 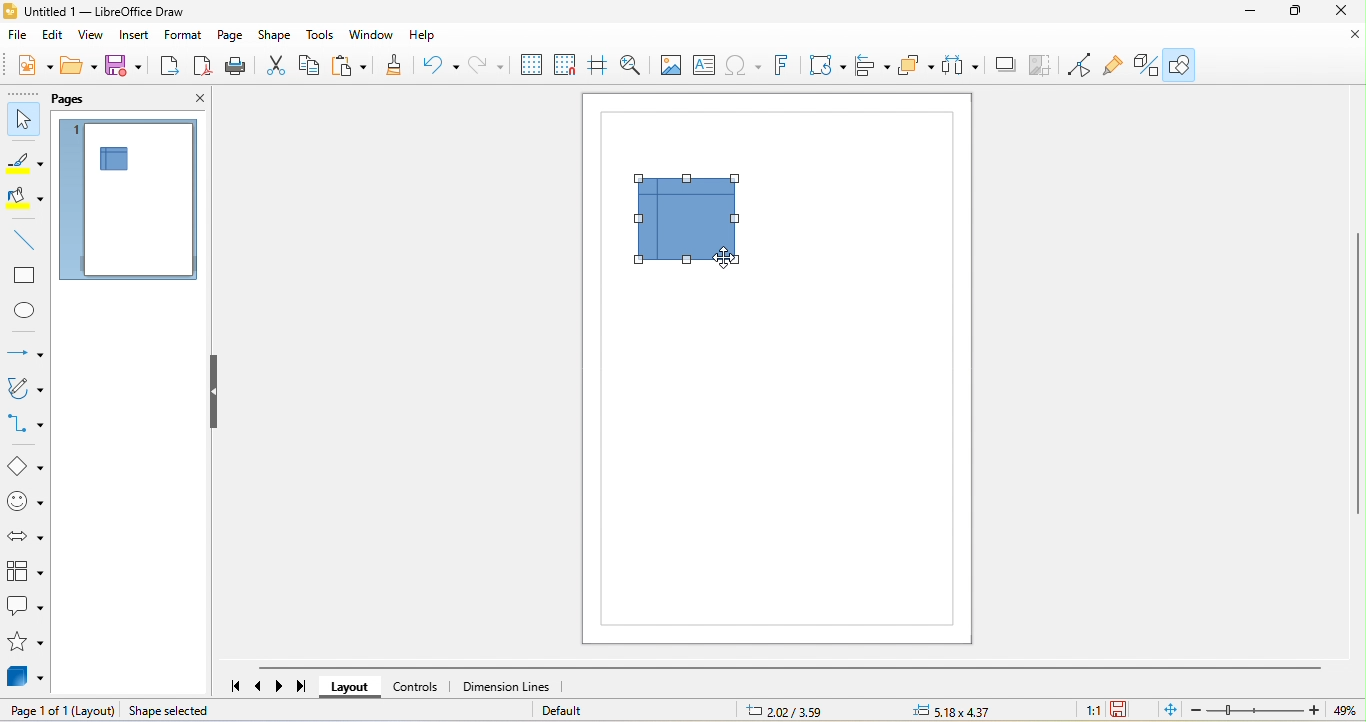 What do you see at coordinates (79, 64) in the screenshot?
I see `open` at bounding box center [79, 64].